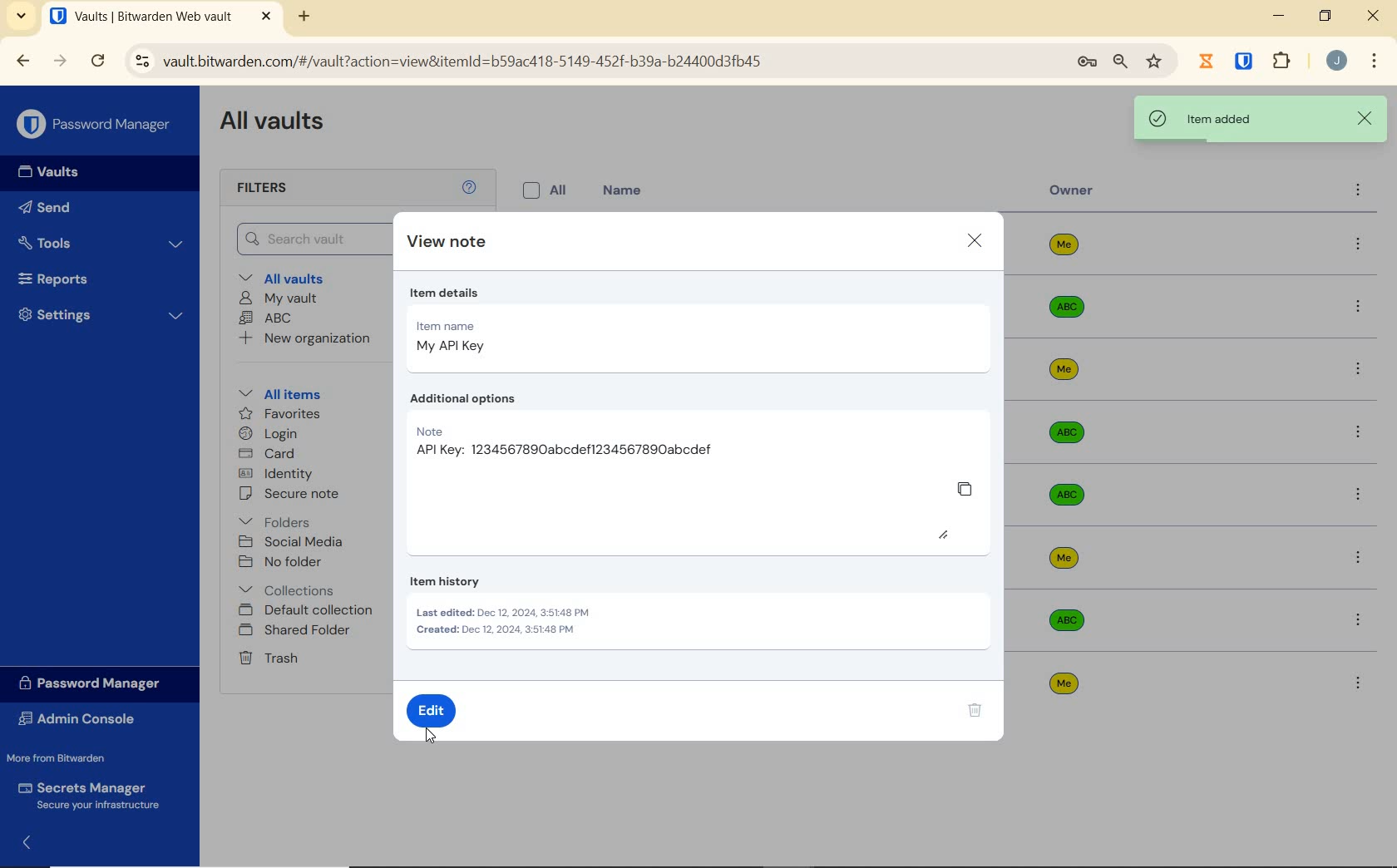  I want to click on Item name, so click(468, 338).